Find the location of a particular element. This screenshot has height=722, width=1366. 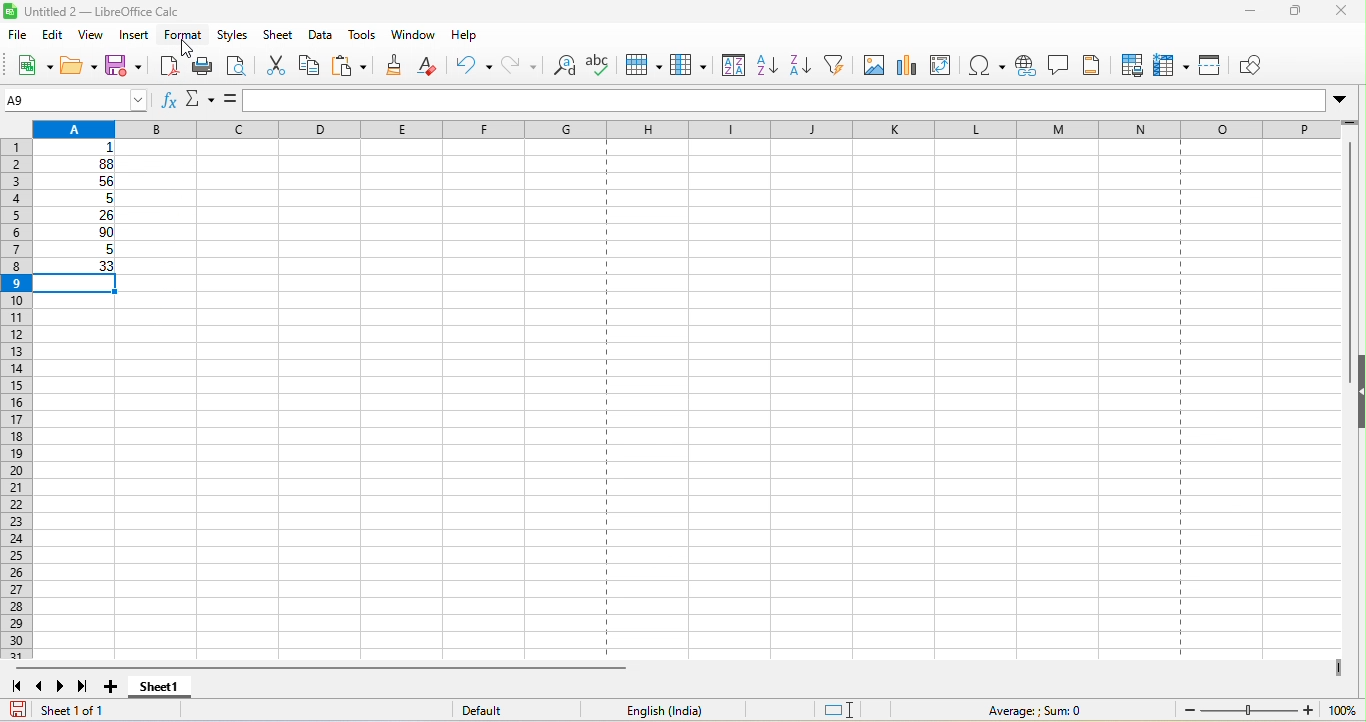

cursor is located at coordinates (187, 52).